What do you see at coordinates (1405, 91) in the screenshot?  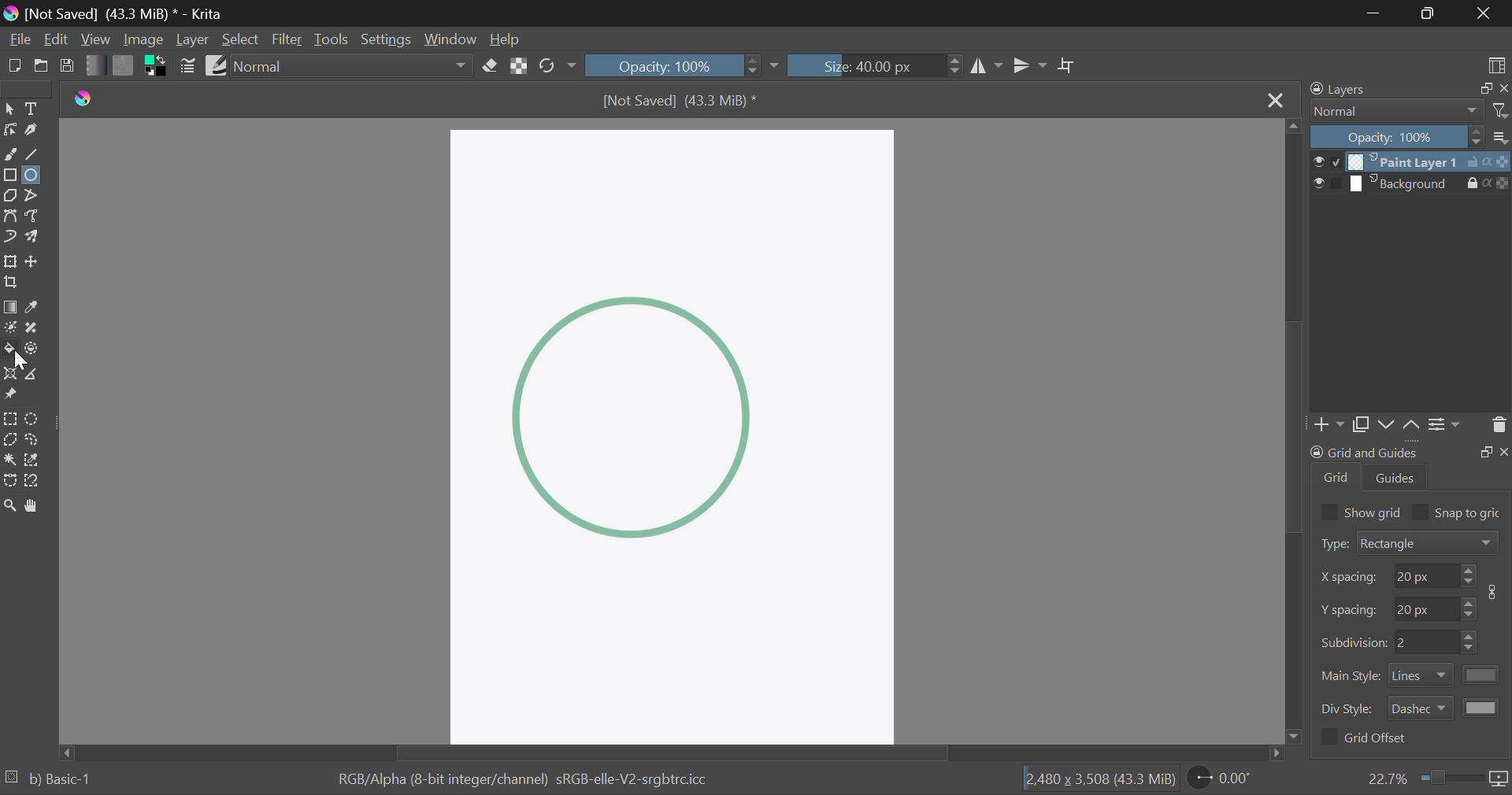 I see `Layers Docker Tab` at bounding box center [1405, 91].